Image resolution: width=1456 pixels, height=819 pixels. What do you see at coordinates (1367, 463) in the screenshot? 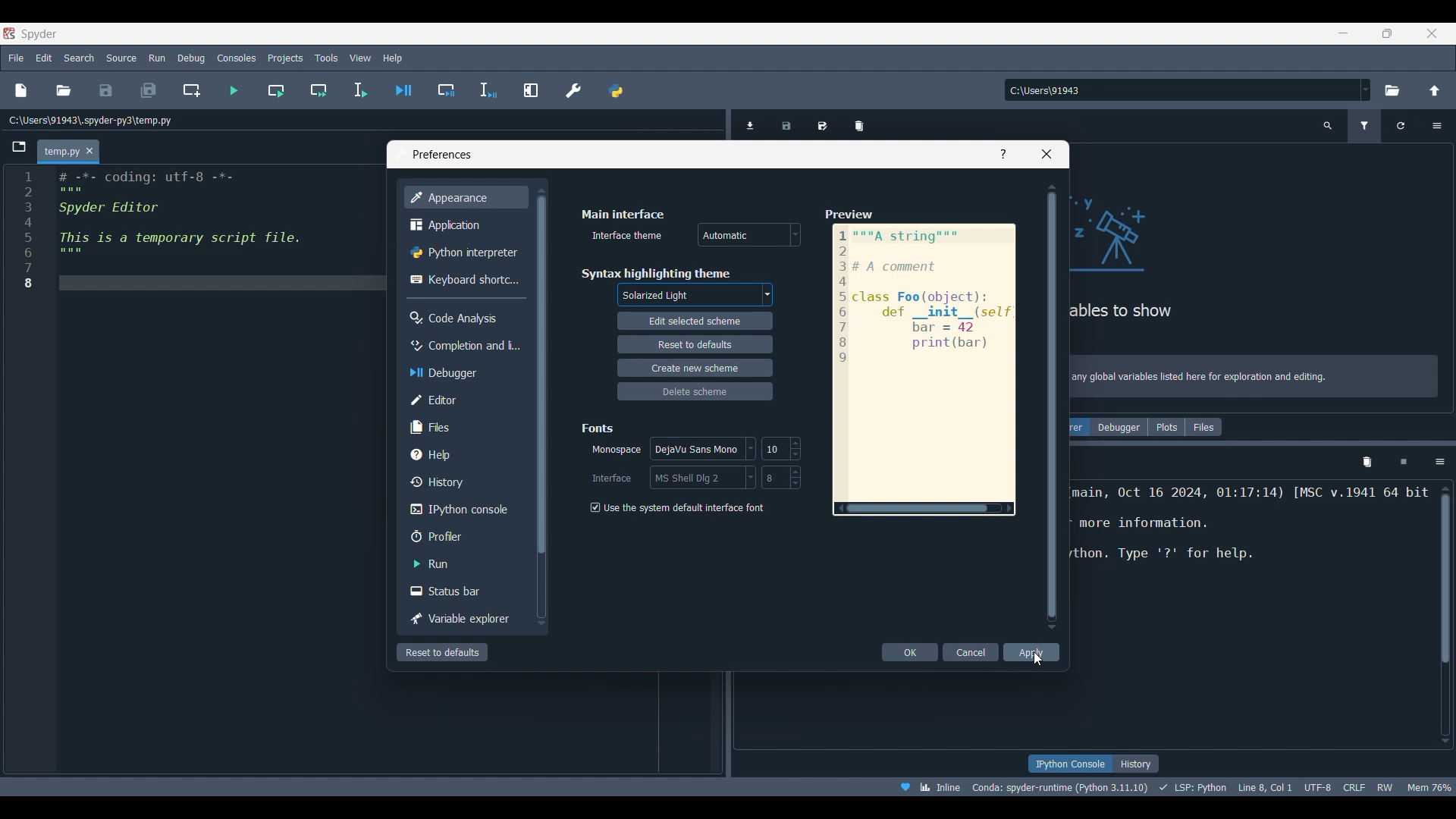
I see `Remove all variables from namespace` at bounding box center [1367, 463].